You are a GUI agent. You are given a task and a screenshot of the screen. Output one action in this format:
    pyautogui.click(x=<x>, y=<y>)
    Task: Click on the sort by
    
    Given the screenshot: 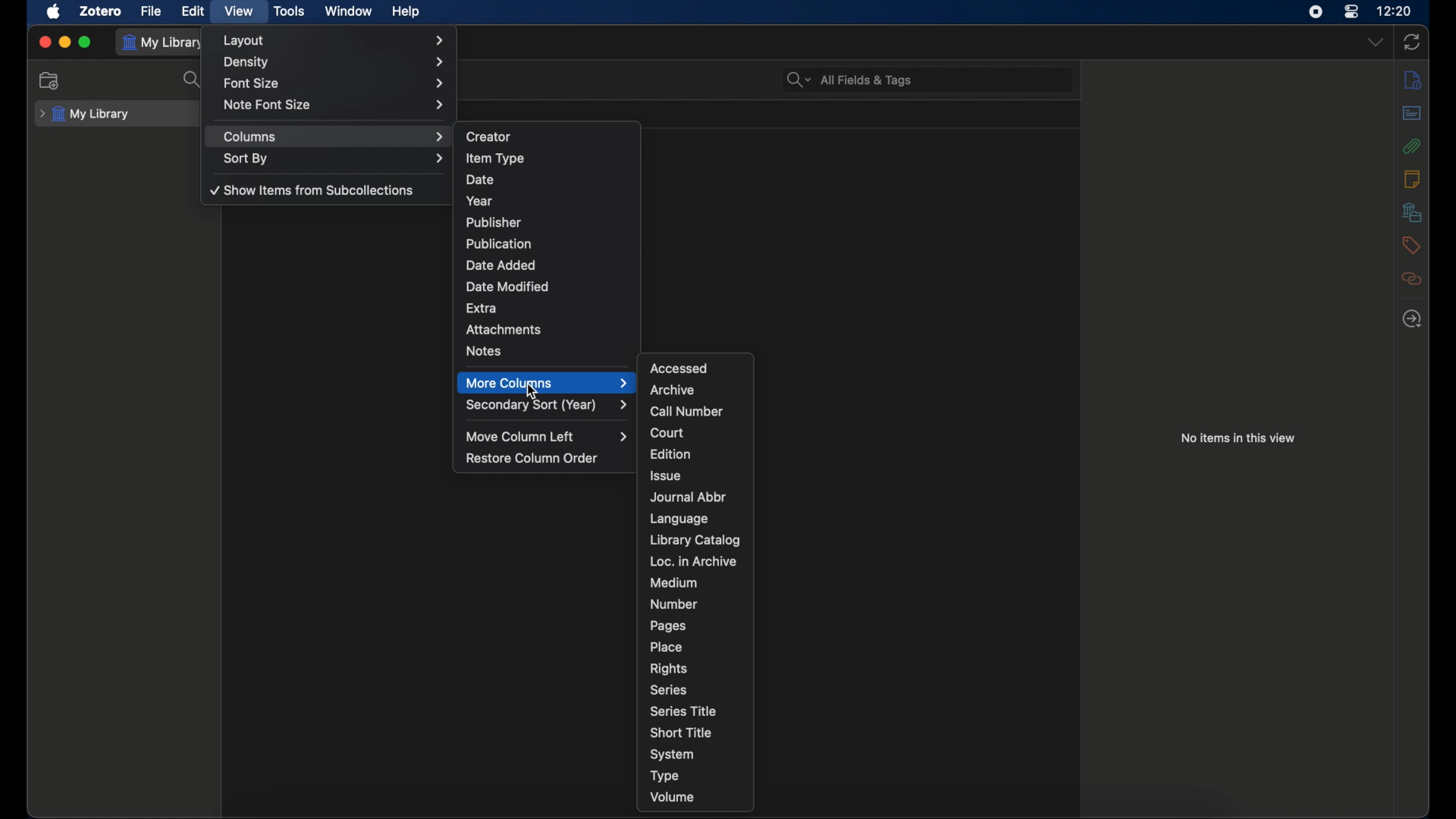 What is the action you would take?
    pyautogui.click(x=334, y=158)
    